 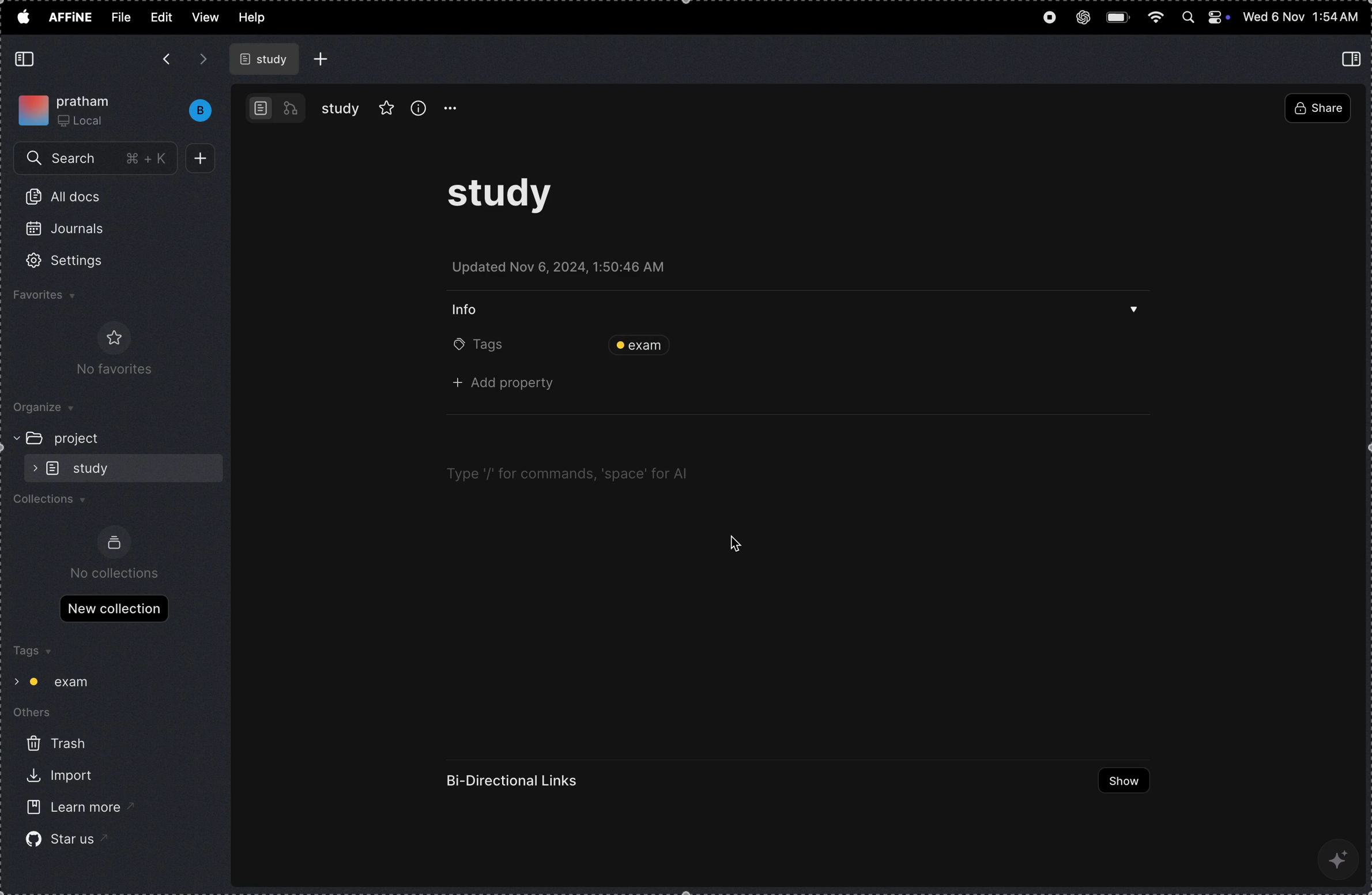 What do you see at coordinates (116, 573) in the screenshot?
I see `no collections` at bounding box center [116, 573].